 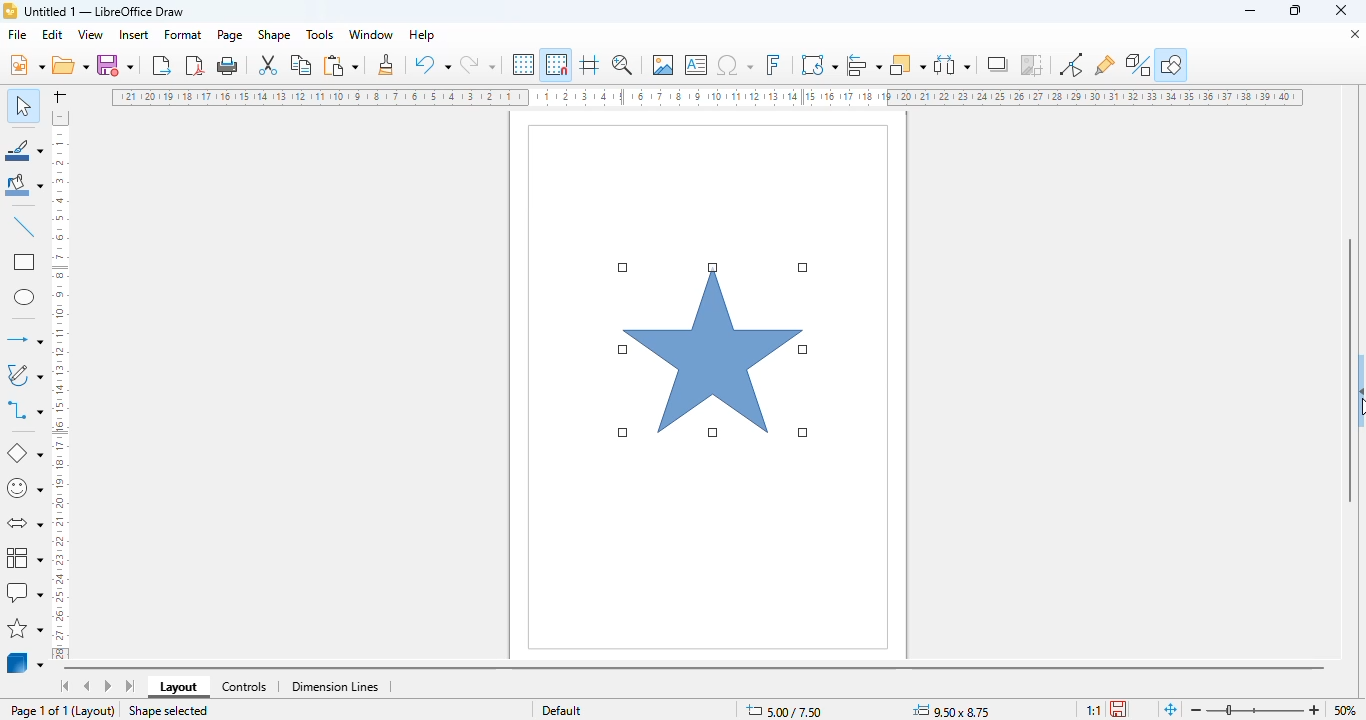 What do you see at coordinates (1197, 710) in the screenshot?
I see `Zoom out` at bounding box center [1197, 710].